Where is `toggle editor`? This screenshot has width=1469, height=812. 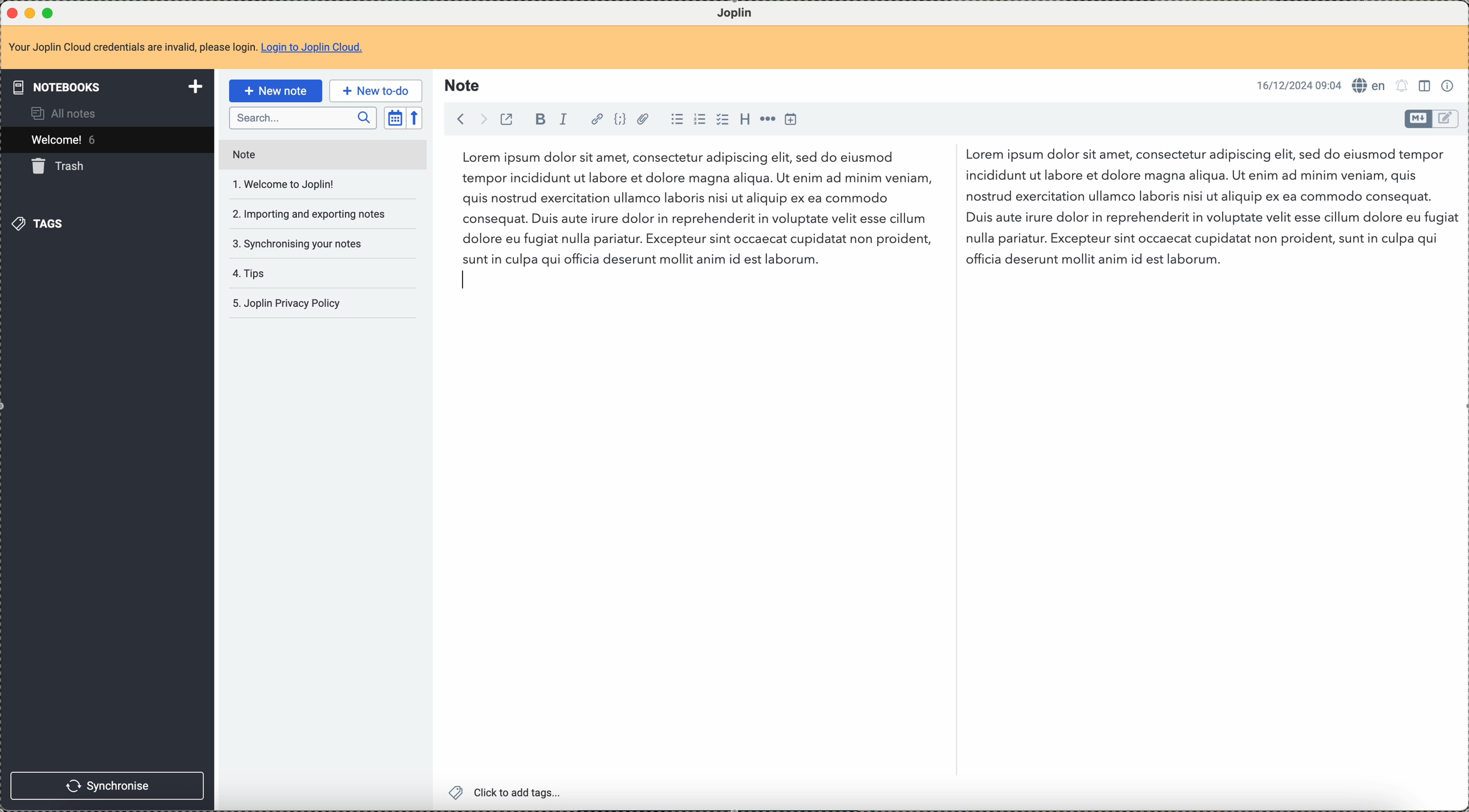 toggle editor is located at coordinates (1447, 120).